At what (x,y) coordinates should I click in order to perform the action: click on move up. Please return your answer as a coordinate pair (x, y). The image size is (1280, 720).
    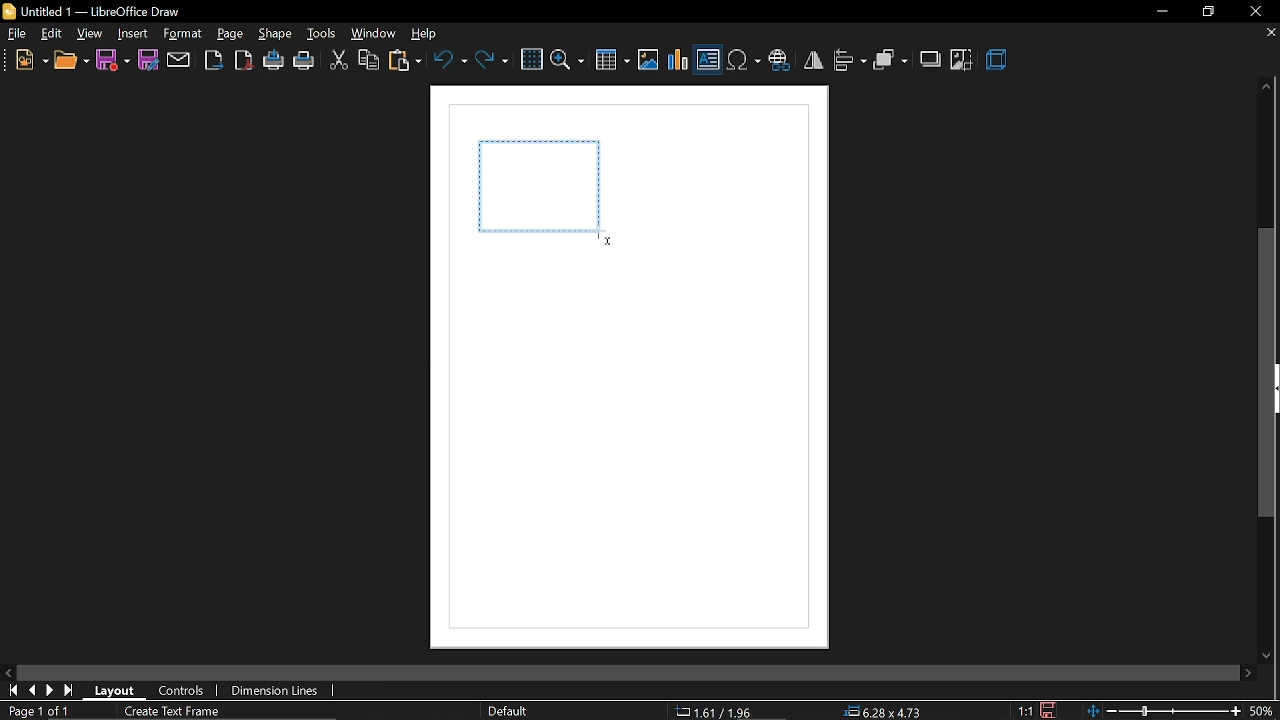
    Looking at the image, I should click on (1262, 87).